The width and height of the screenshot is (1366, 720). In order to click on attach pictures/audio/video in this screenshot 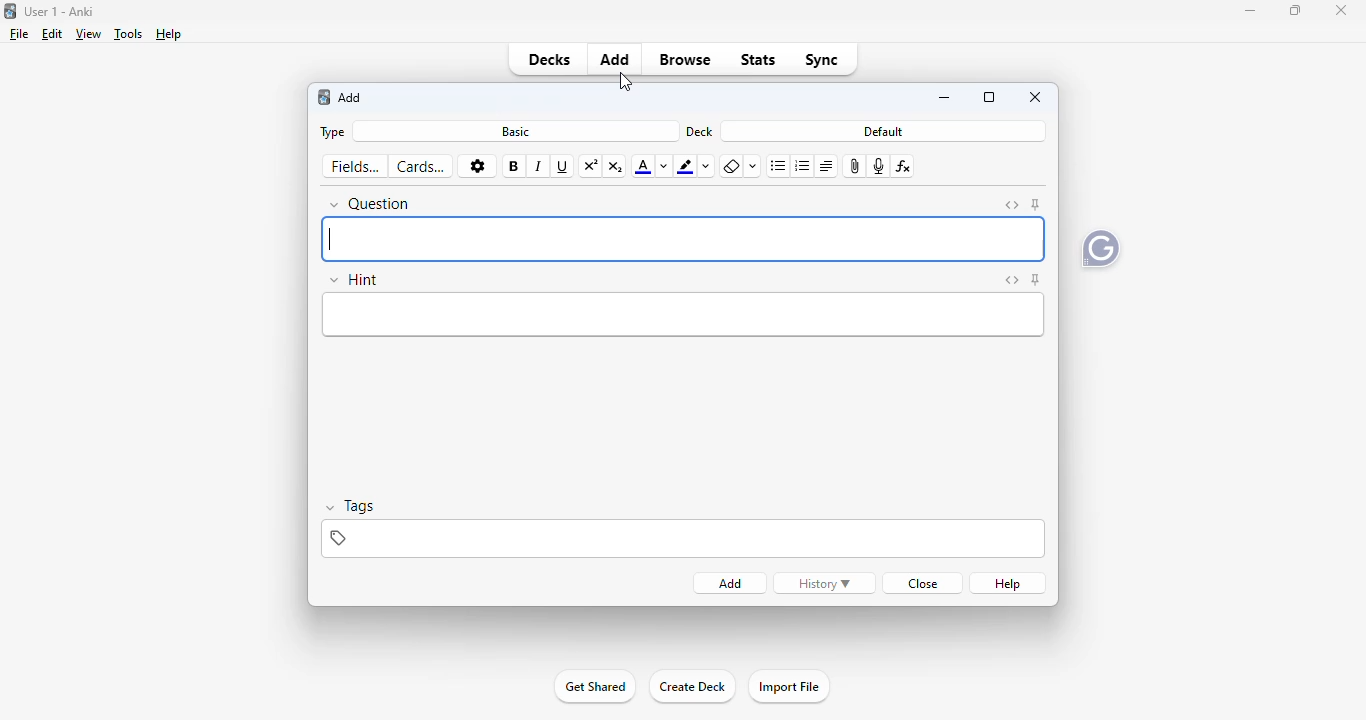, I will do `click(855, 166)`.